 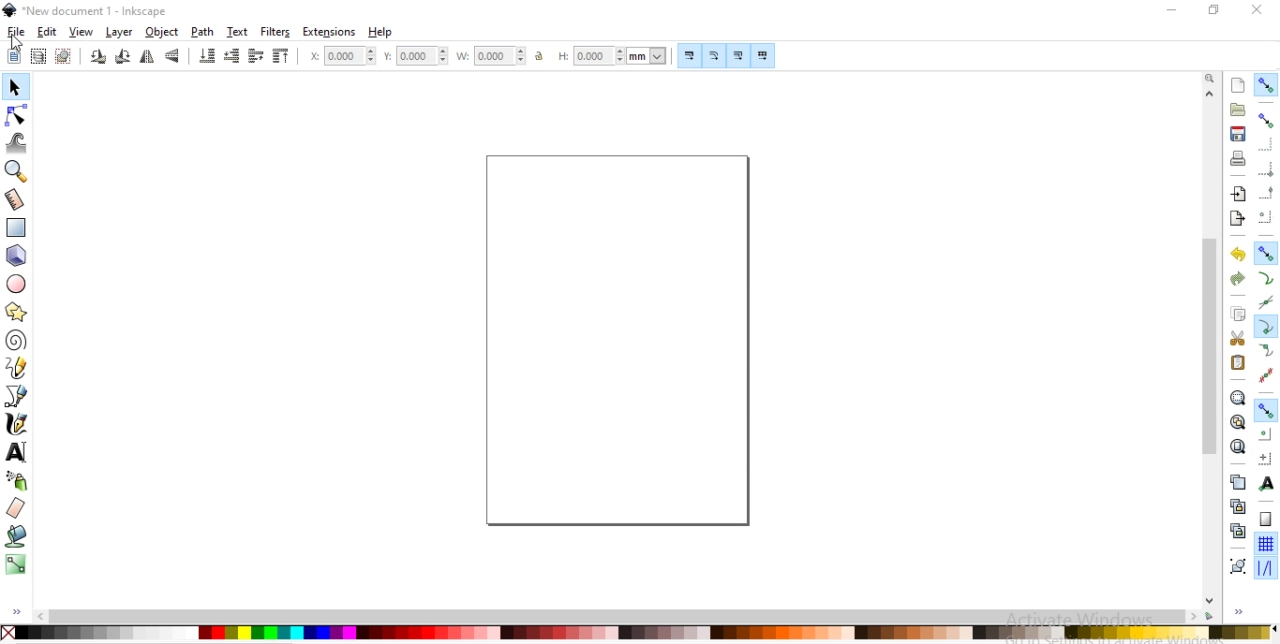 What do you see at coordinates (1264, 375) in the screenshot?
I see `snap midpoints of line segments` at bounding box center [1264, 375].